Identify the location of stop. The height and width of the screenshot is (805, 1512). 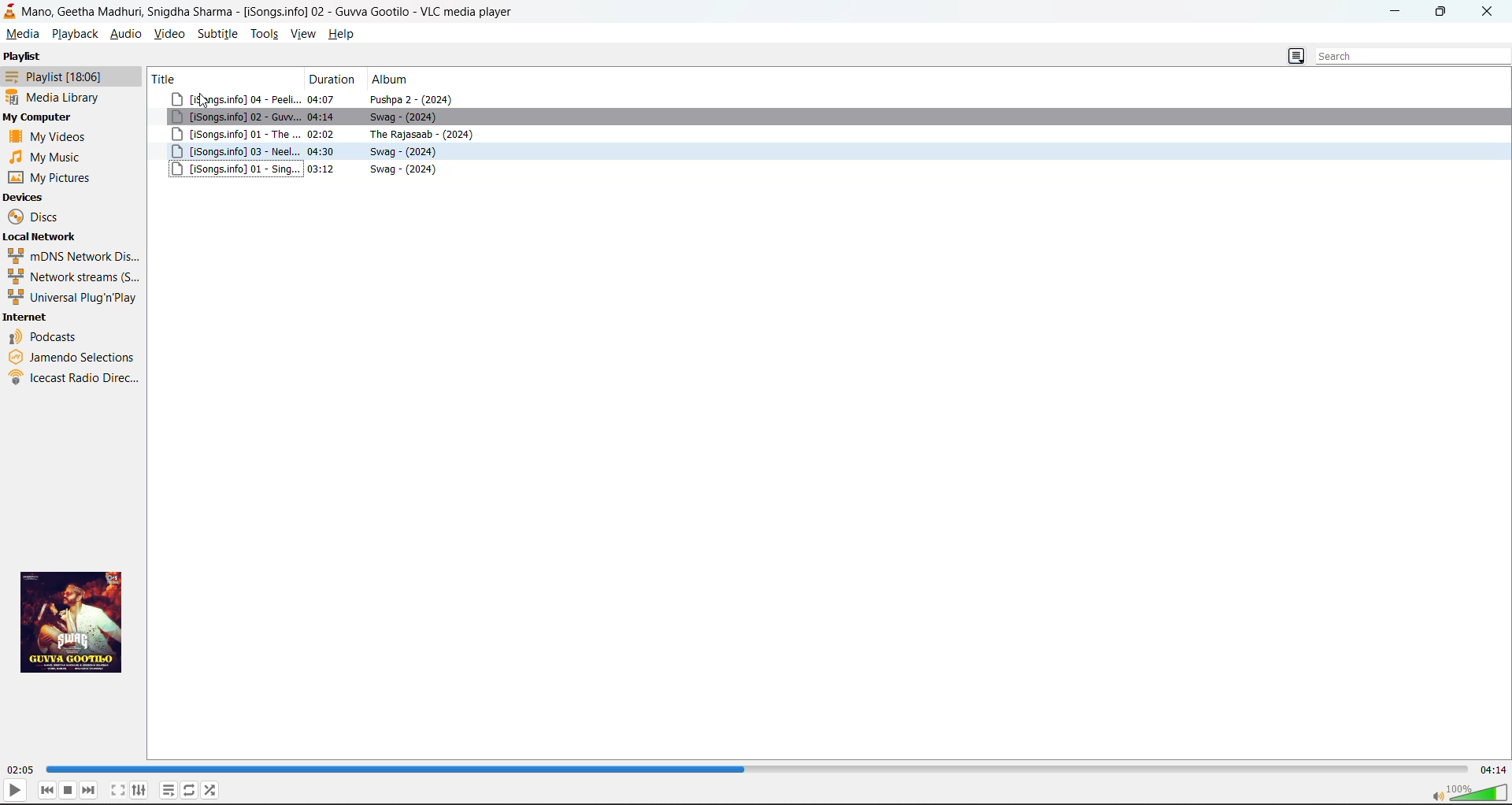
(69, 790).